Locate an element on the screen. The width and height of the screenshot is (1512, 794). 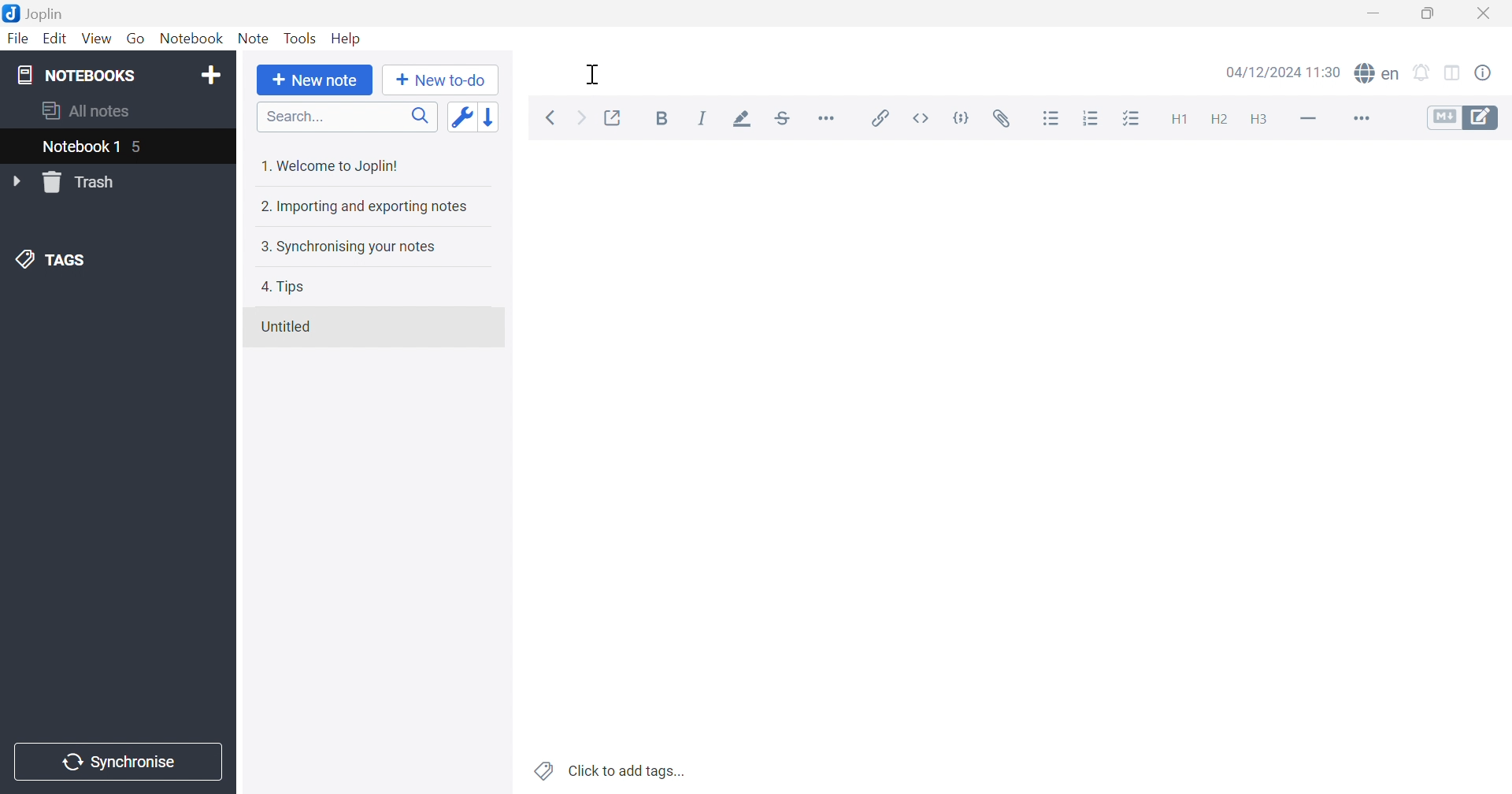
Search is located at coordinates (347, 117).